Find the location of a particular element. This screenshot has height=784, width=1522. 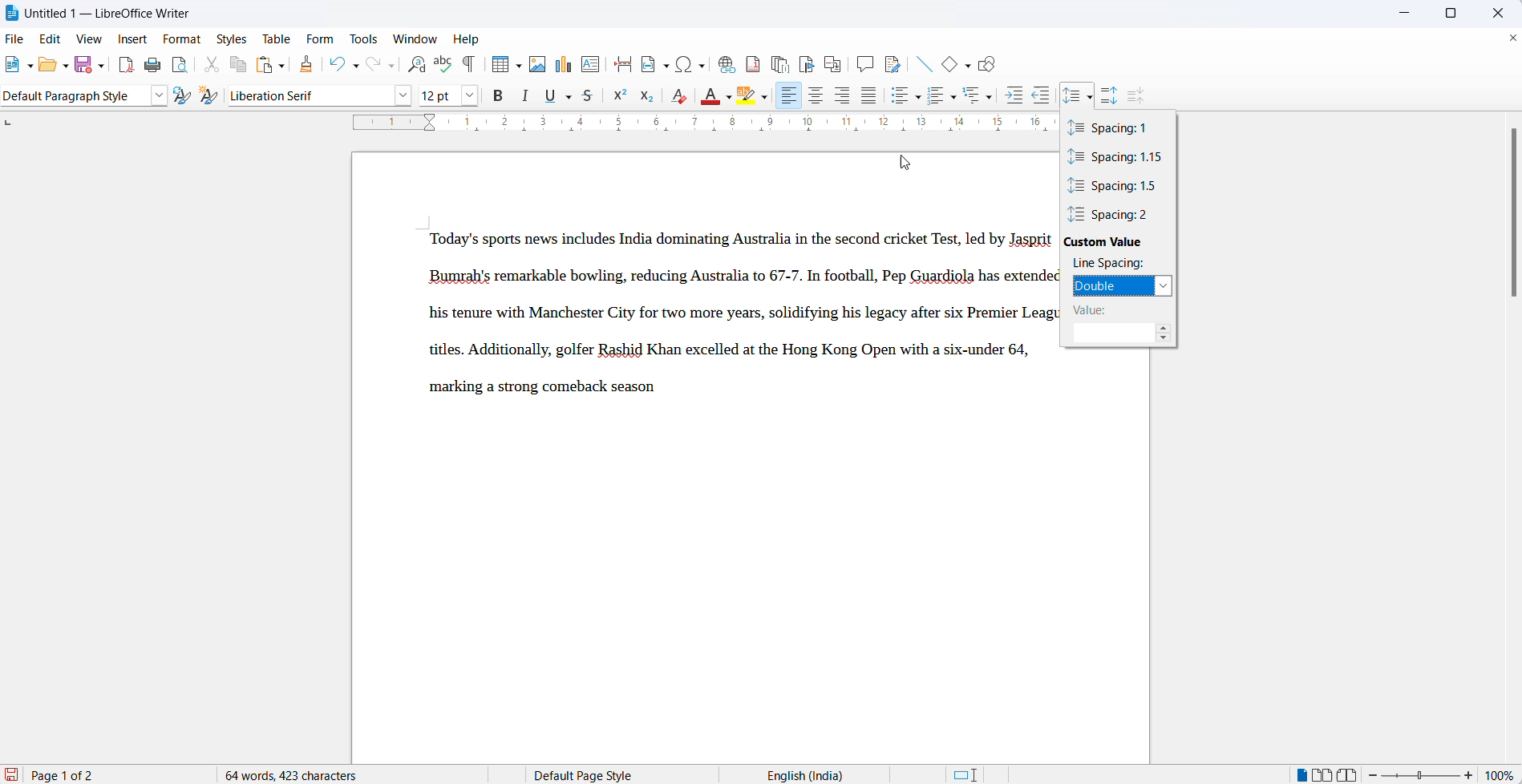

show draw functions is located at coordinates (993, 65).